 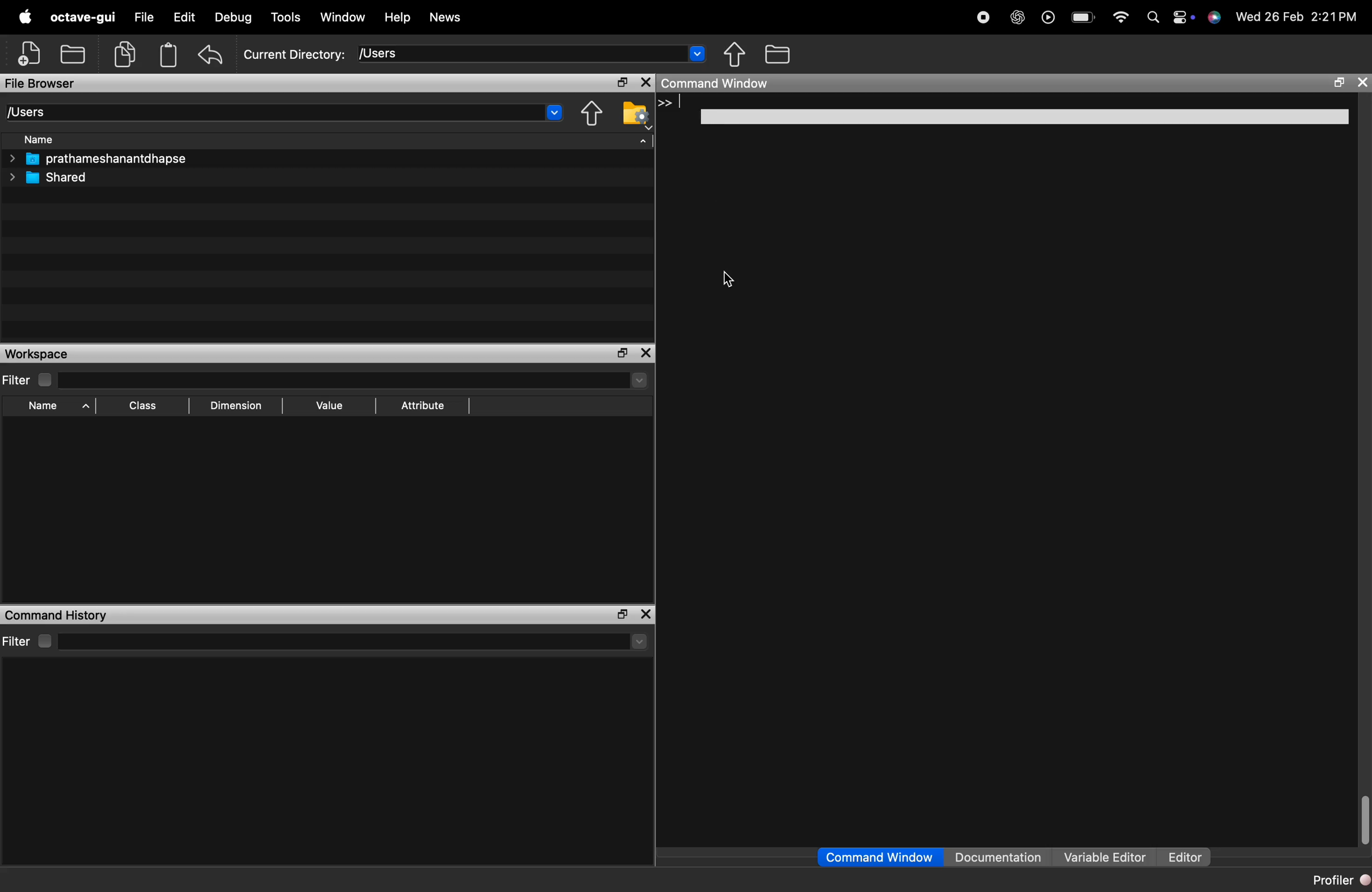 I want to click on empty command history, so click(x=323, y=767).